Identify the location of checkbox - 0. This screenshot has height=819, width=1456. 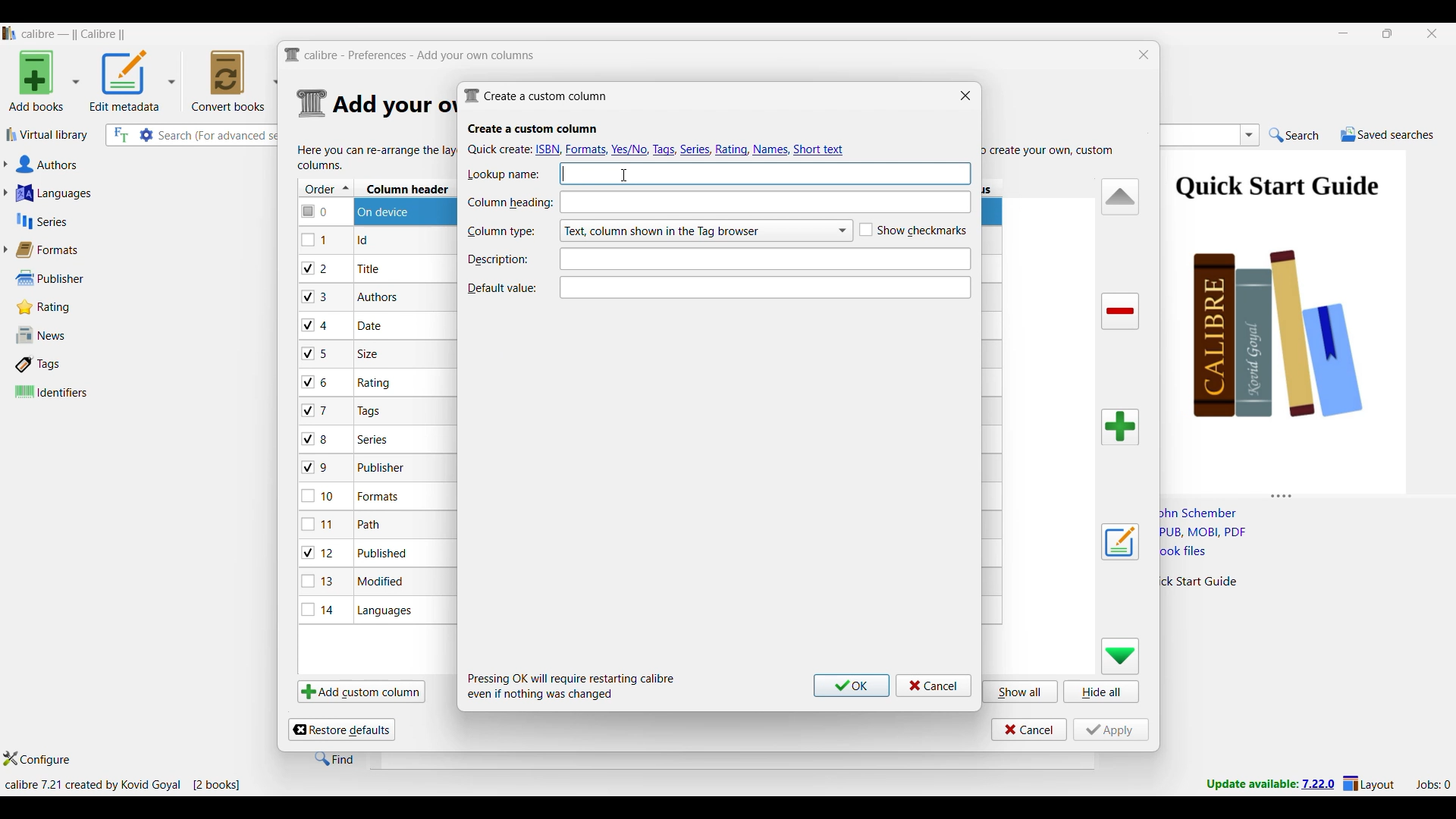
(316, 210).